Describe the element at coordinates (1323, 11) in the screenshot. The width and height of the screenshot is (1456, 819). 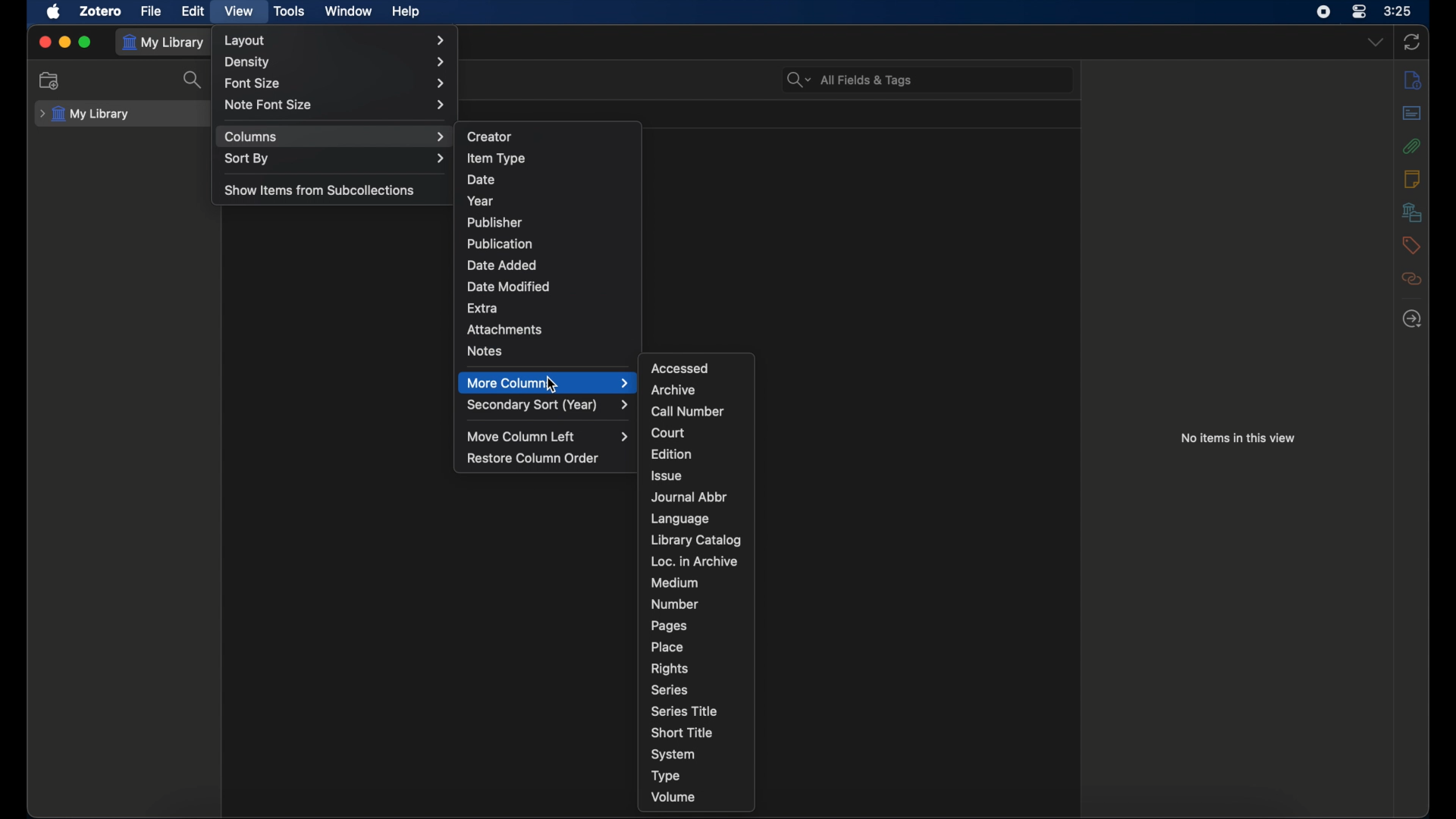
I see `screen recorder` at that location.